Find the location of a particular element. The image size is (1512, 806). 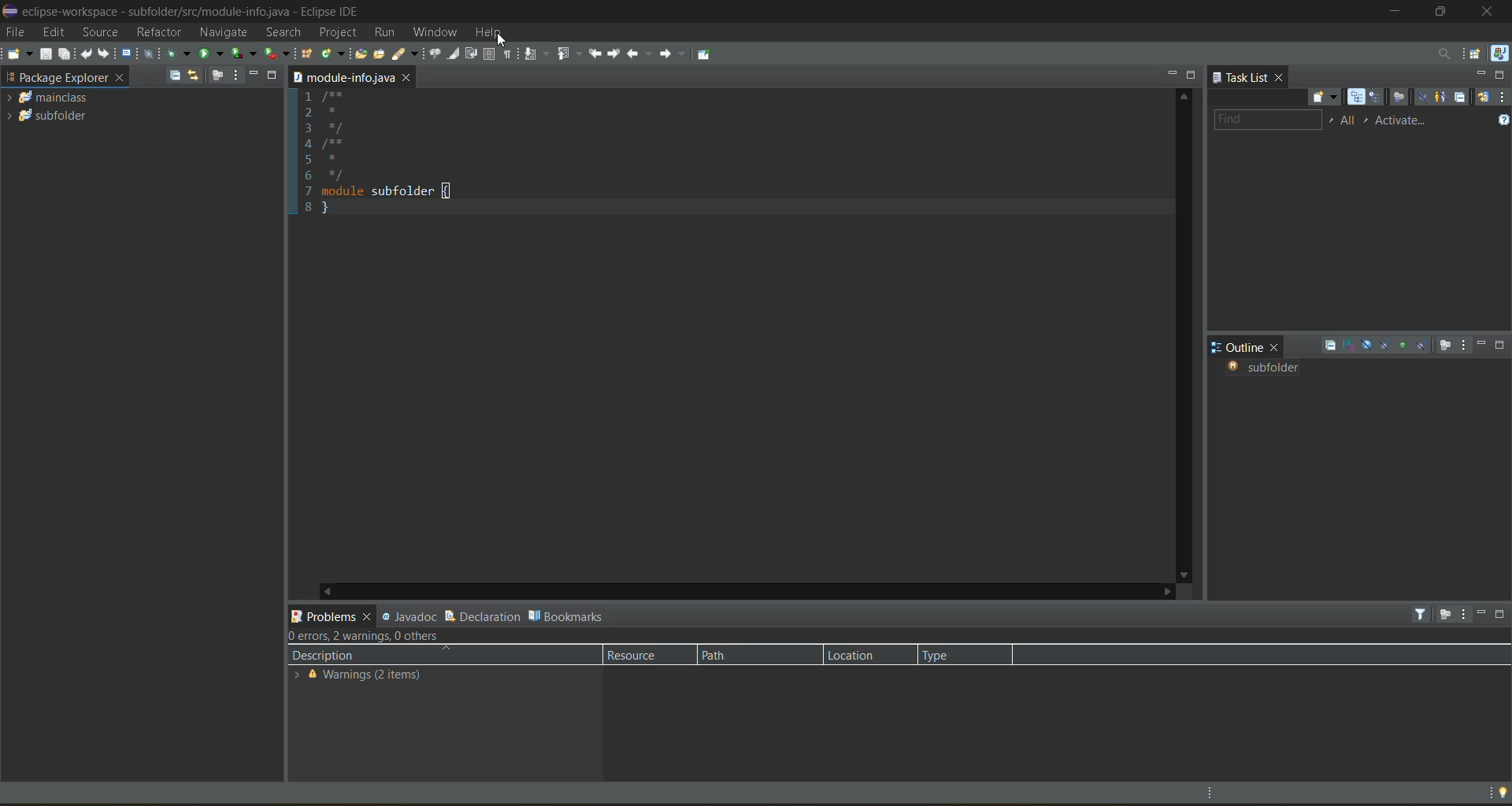

navigate is located at coordinates (221, 31).